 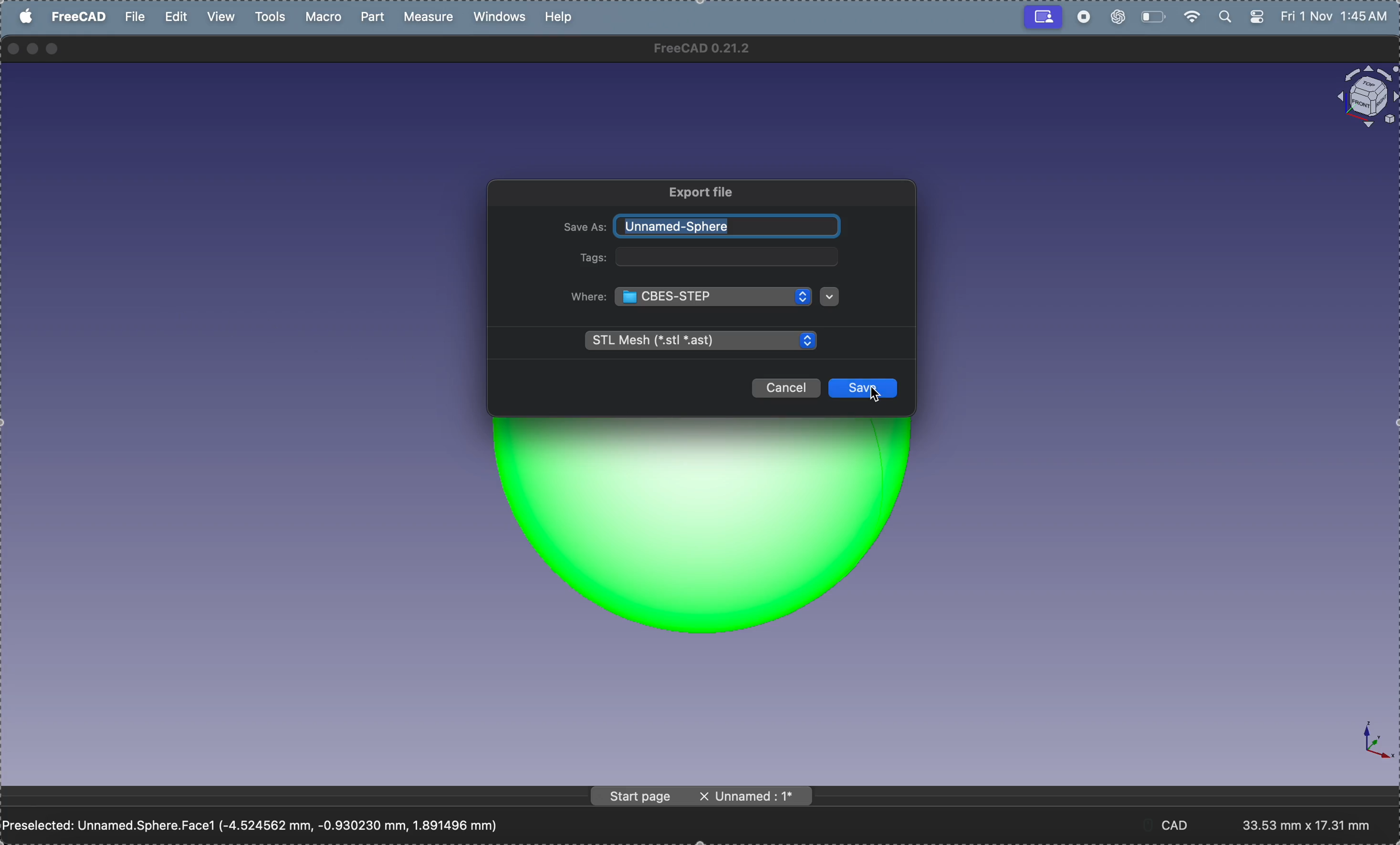 I want to click on axis, so click(x=1367, y=743).